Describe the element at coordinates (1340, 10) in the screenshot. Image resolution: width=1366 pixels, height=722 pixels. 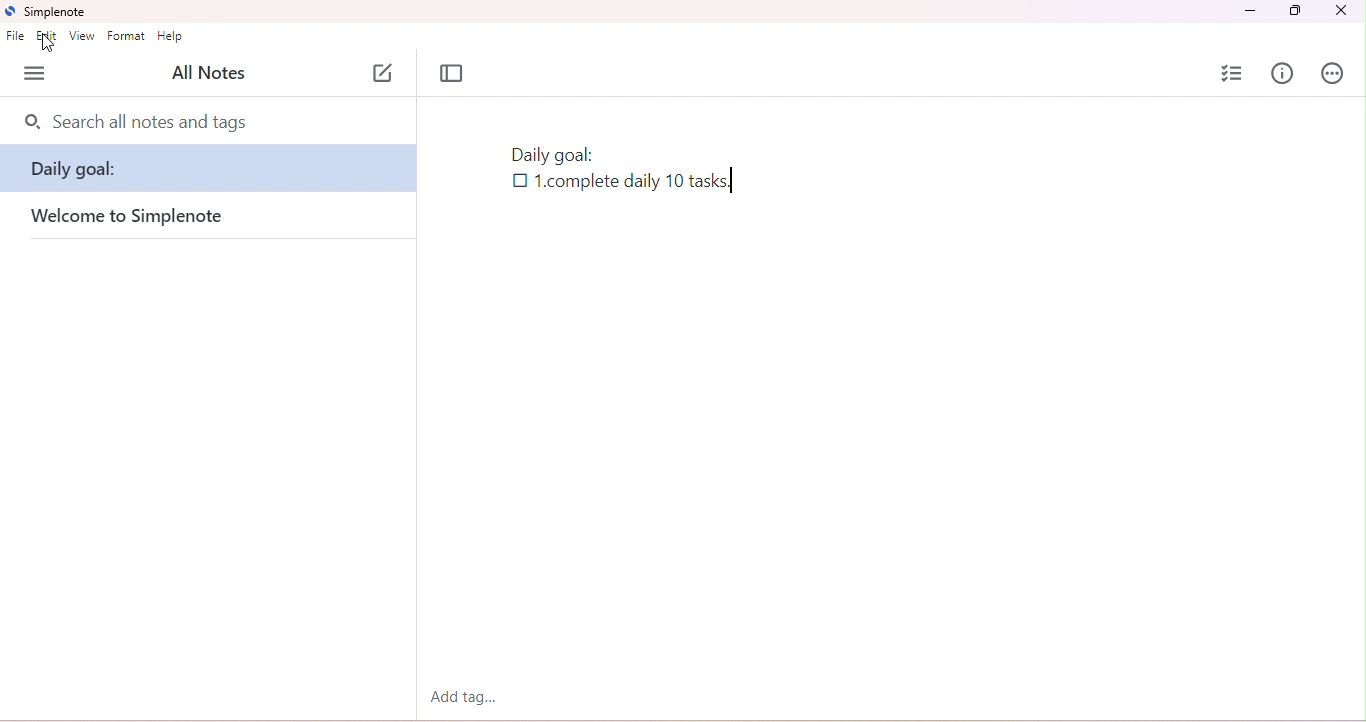
I see `close` at that location.